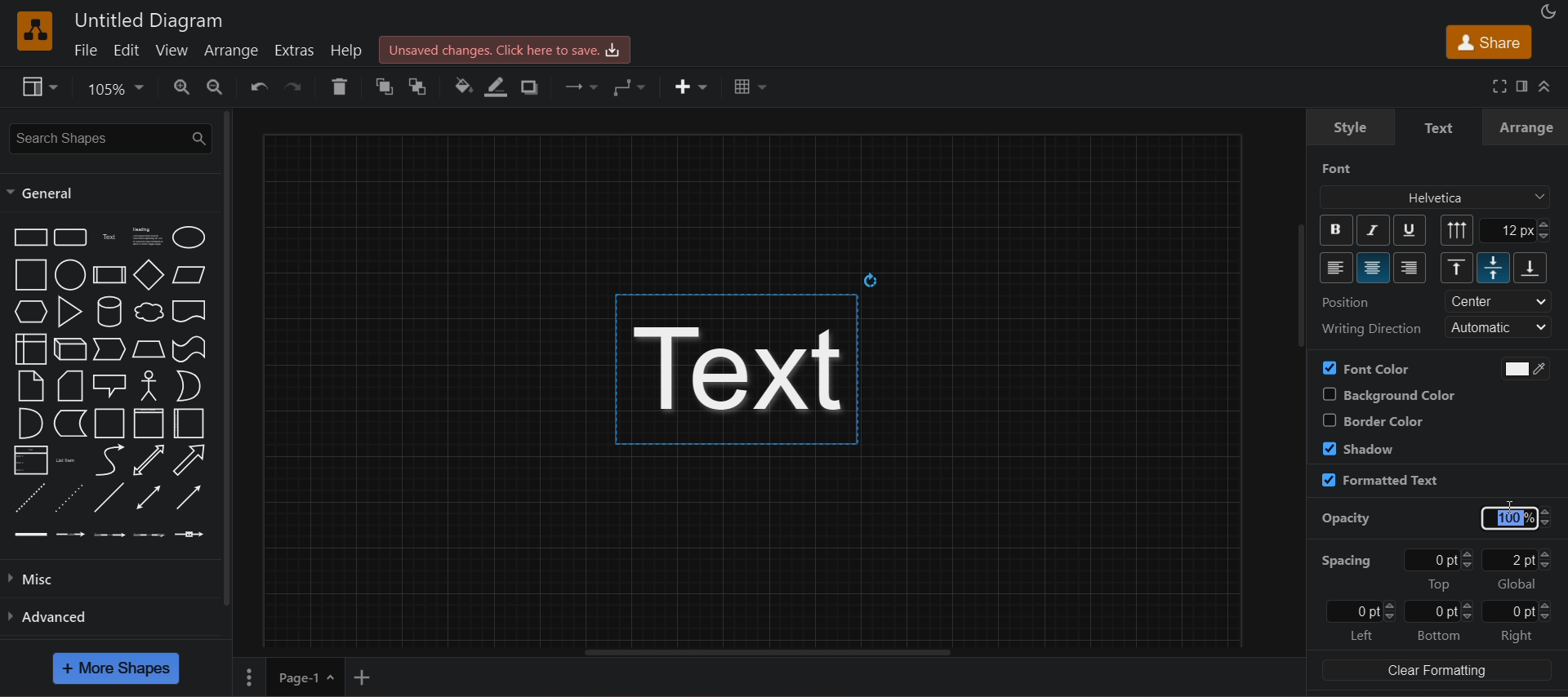  What do you see at coordinates (149, 313) in the screenshot?
I see `cloud` at bounding box center [149, 313].